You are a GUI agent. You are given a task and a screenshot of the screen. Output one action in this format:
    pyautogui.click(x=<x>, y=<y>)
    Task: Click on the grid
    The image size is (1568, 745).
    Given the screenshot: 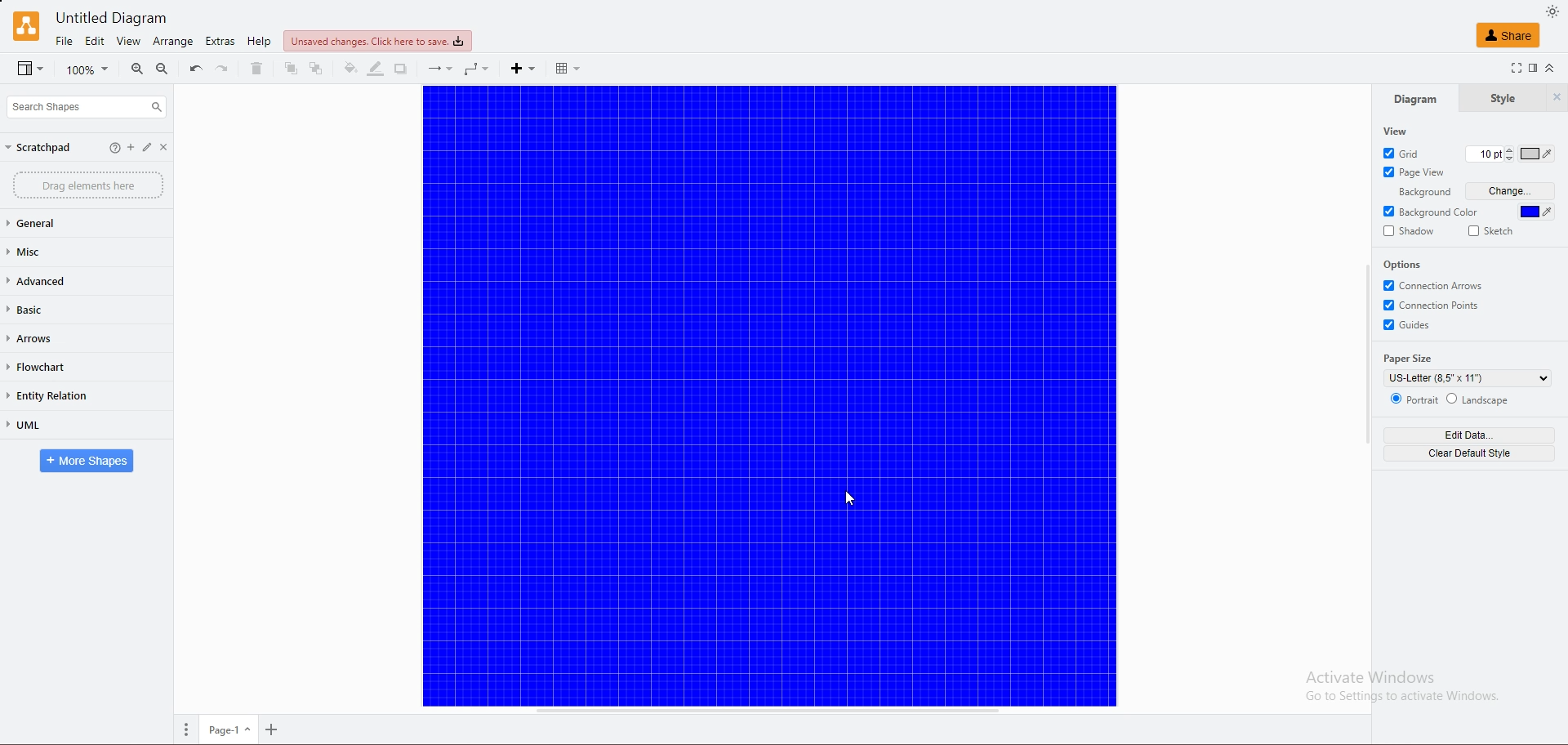 What is the action you would take?
    pyautogui.click(x=1404, y=153)
    